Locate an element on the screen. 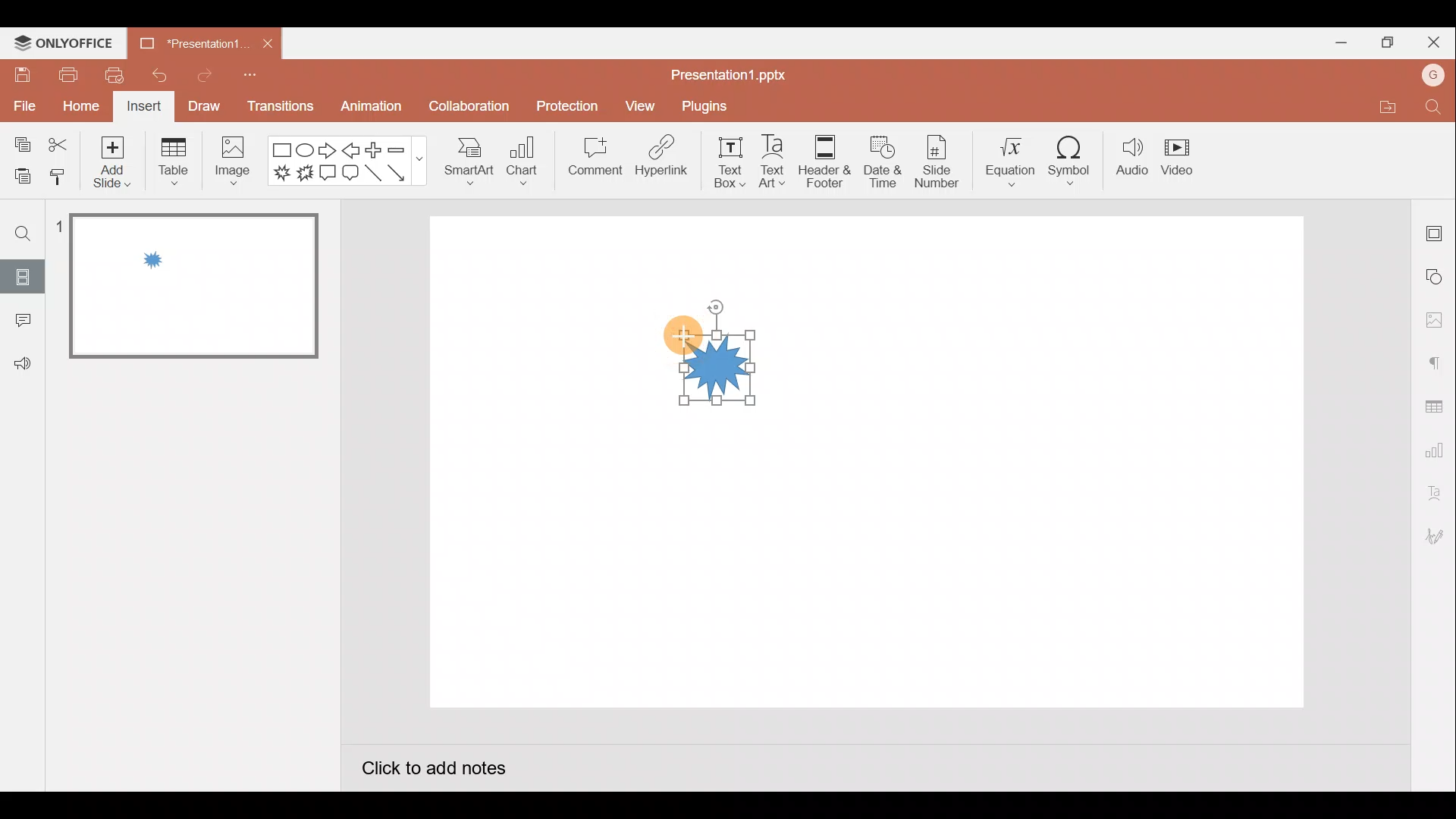  Hyperlink is located at coordinates (661, 159).